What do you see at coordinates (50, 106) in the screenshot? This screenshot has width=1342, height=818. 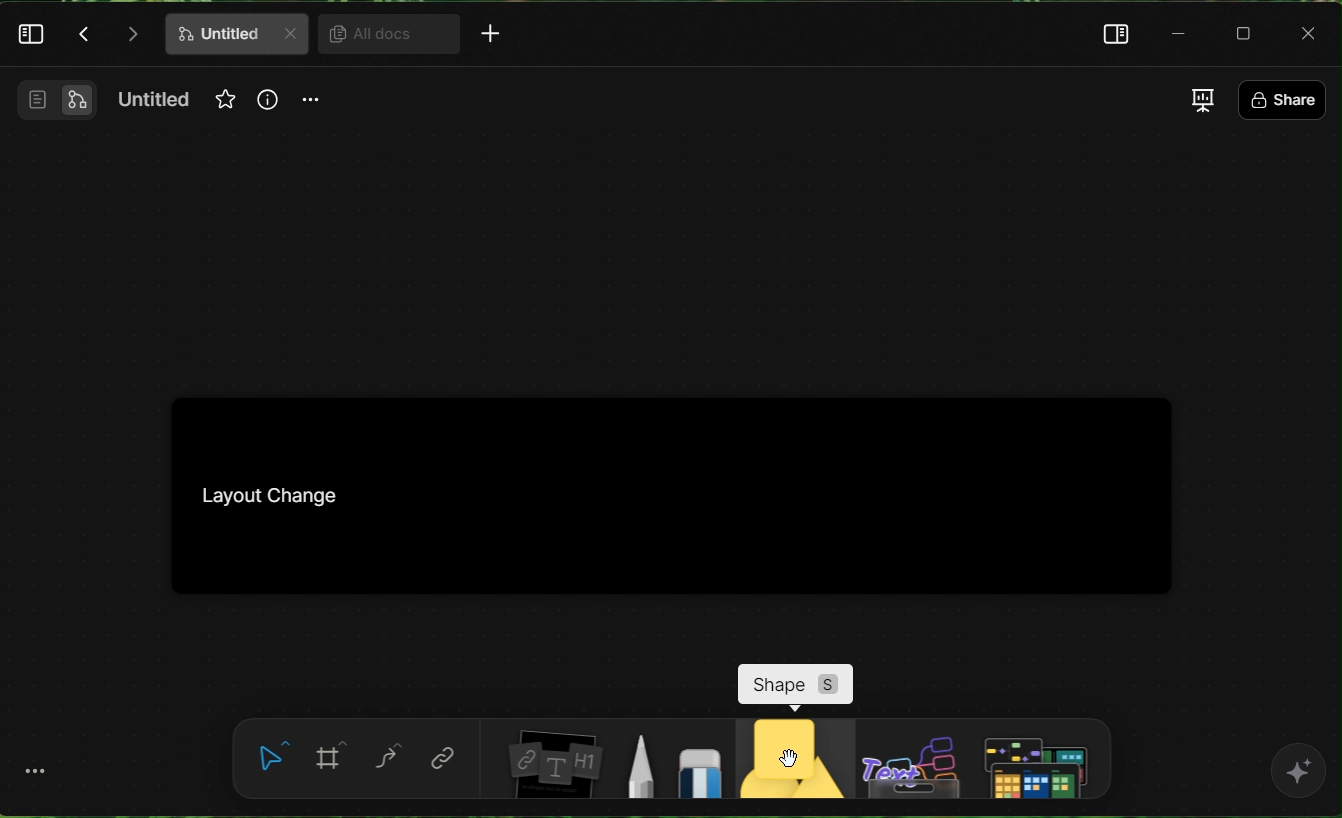 I see `Switch` at bounding box center [50, 106].